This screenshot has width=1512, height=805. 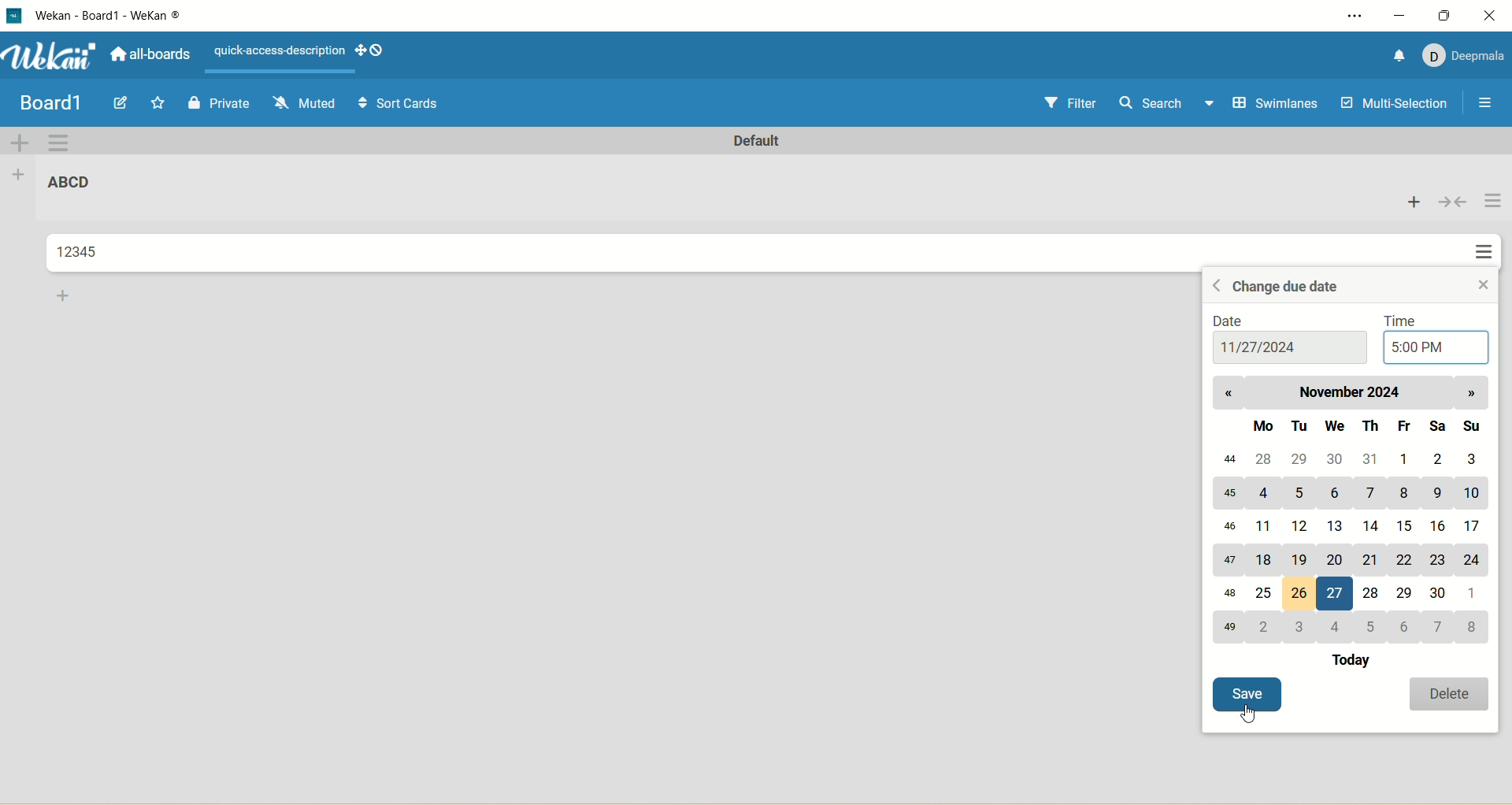 I want to click on add list, so click(x=21, y=178).